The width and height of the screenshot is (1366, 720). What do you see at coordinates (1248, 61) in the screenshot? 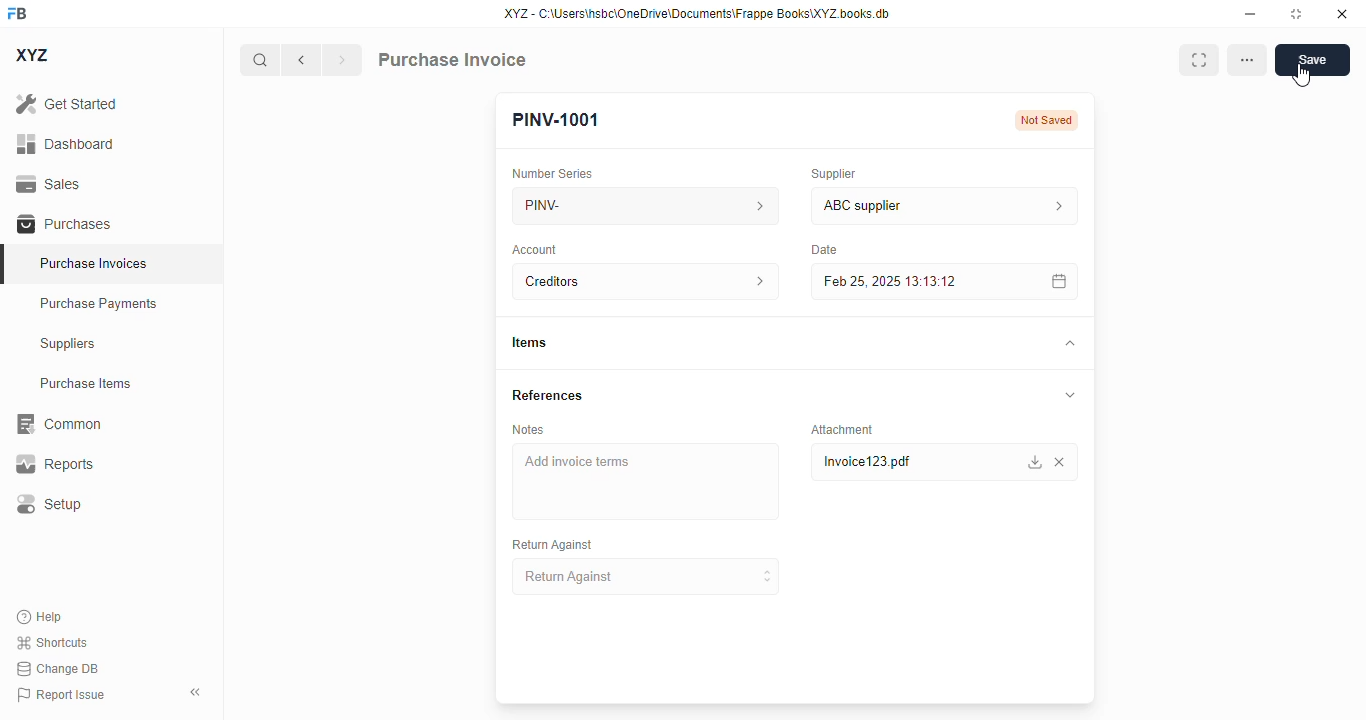
I see `option` at bounding box center [1248, 61].